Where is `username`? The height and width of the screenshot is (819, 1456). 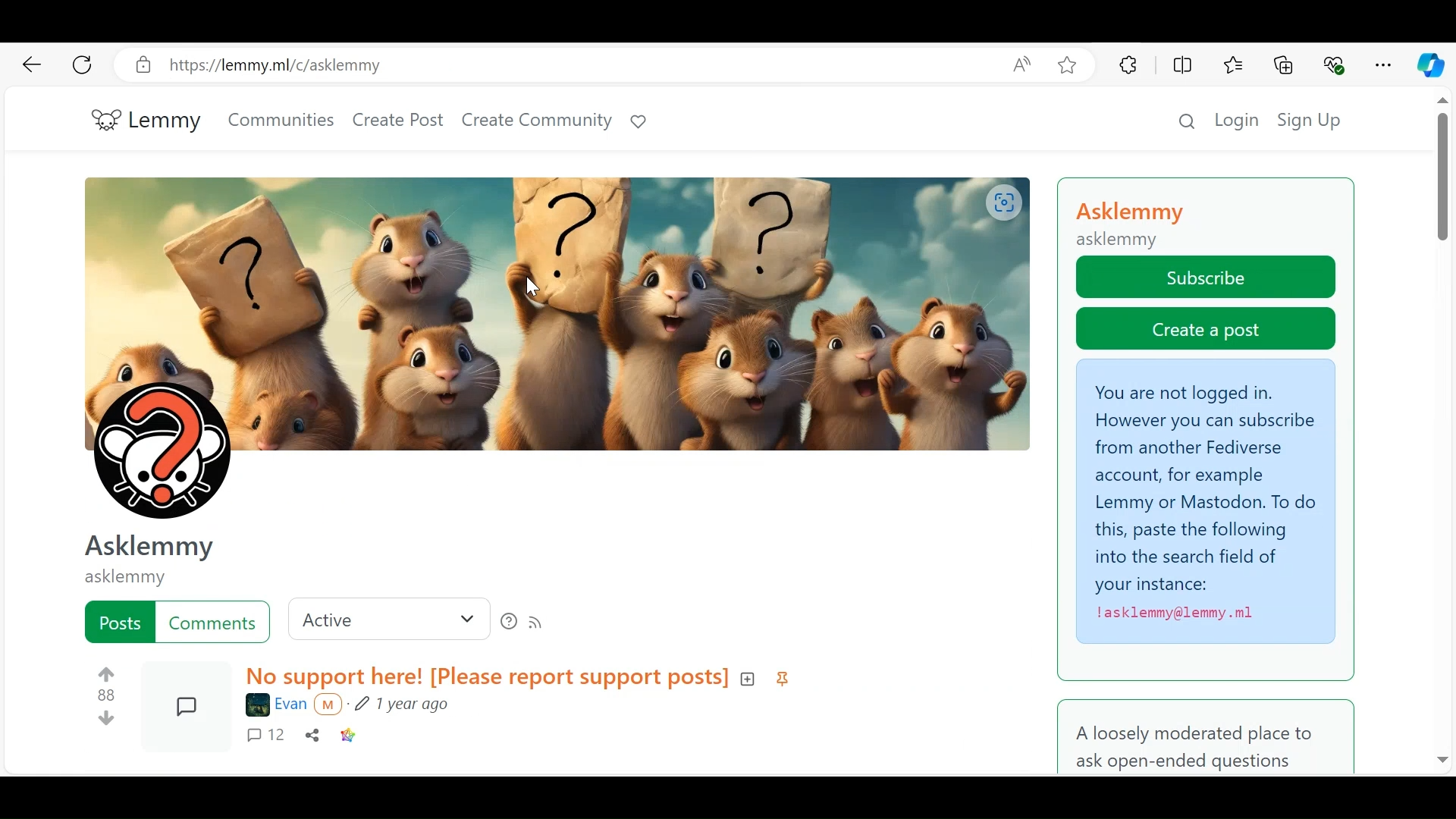 username is located at coordinates (147, 546).